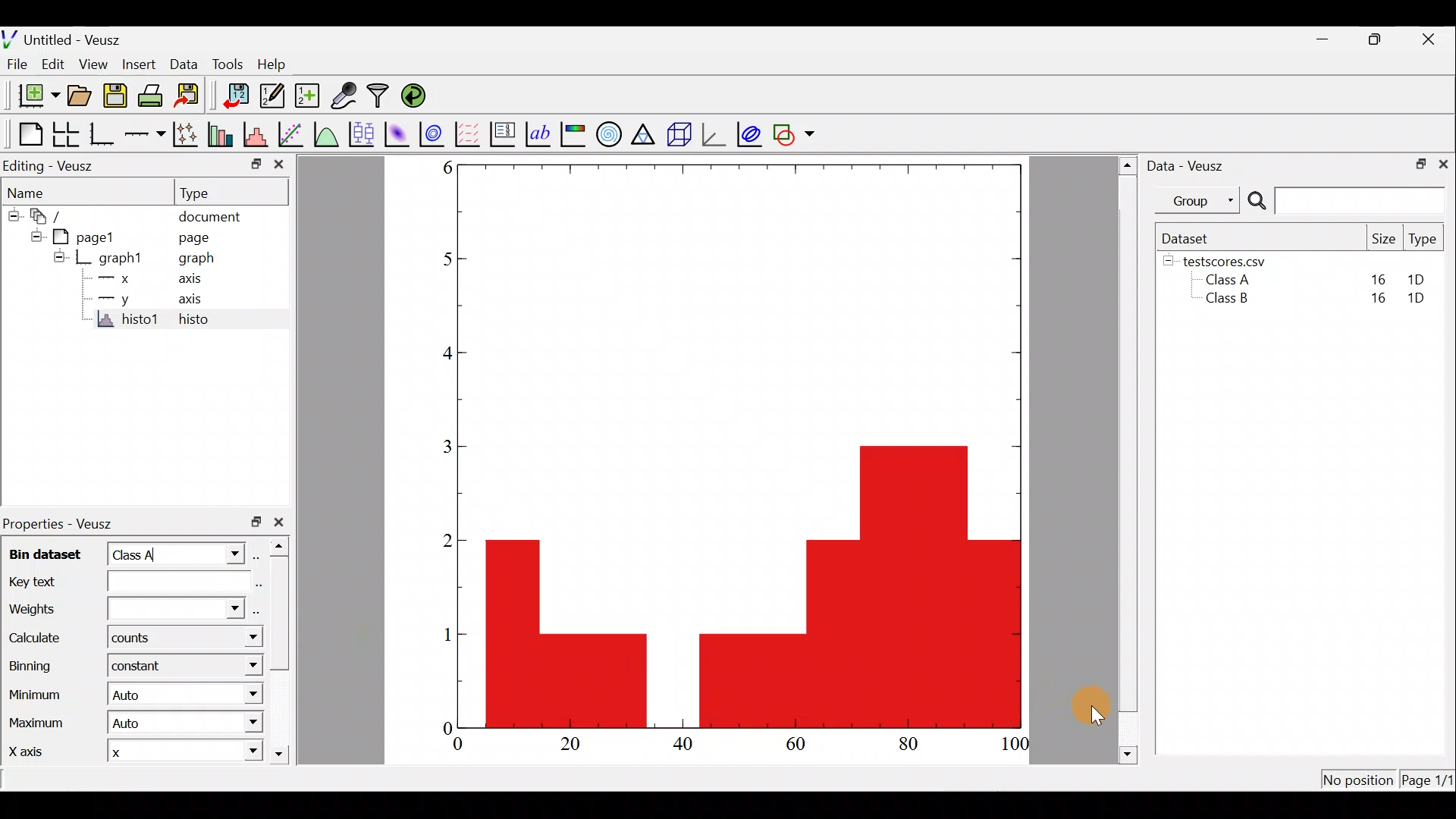  Describe the element at coordinates (118, 584) in the screenshot. I see `Key text` at that location.